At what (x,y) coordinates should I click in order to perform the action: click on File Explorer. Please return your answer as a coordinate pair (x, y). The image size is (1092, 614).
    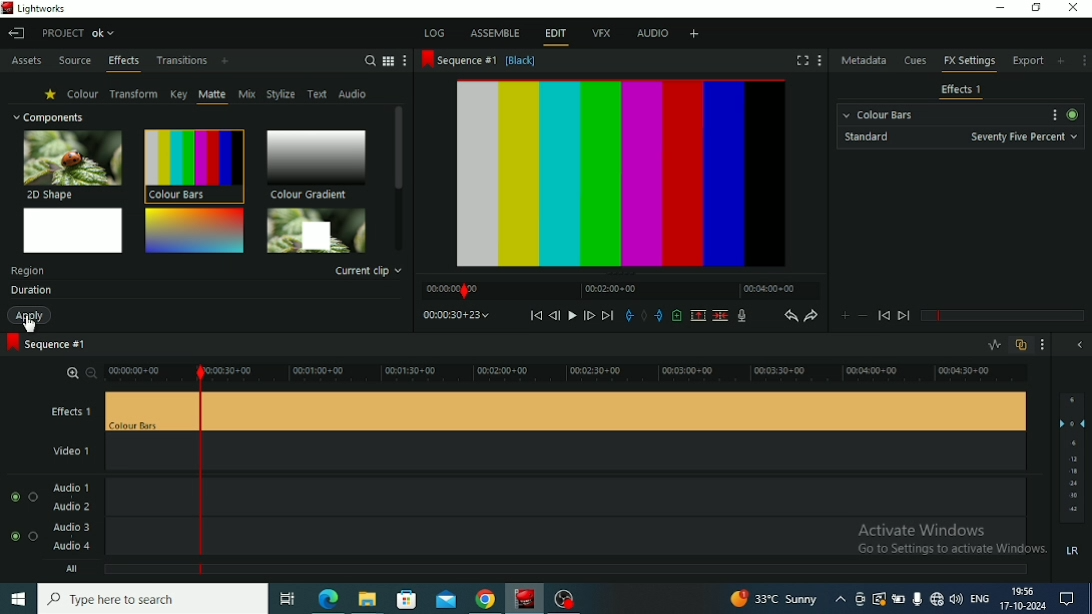
    Looking at the image, I should click on (369, 599).